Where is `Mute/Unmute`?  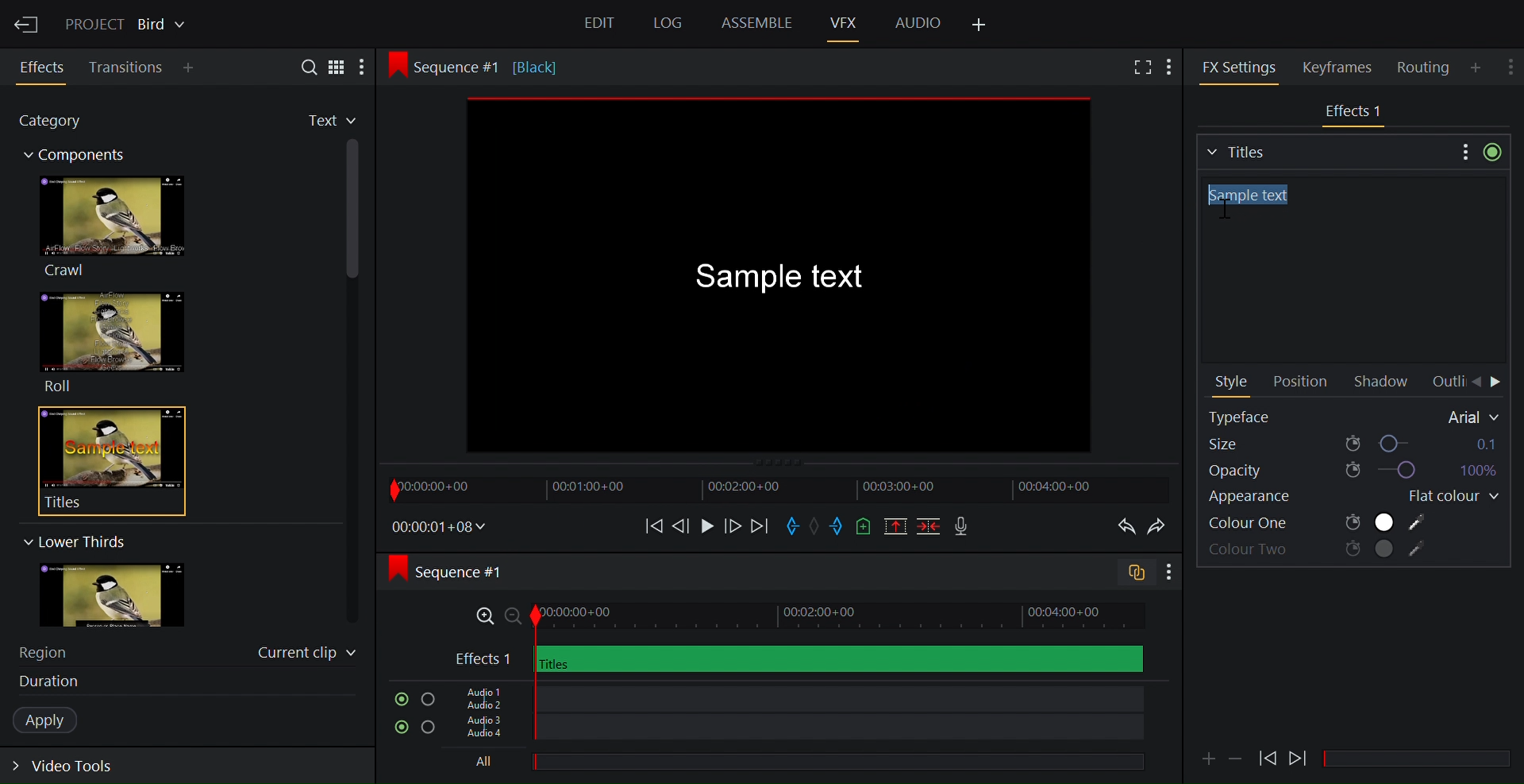 Mute/Unmute is located at coordinates (398, 728).